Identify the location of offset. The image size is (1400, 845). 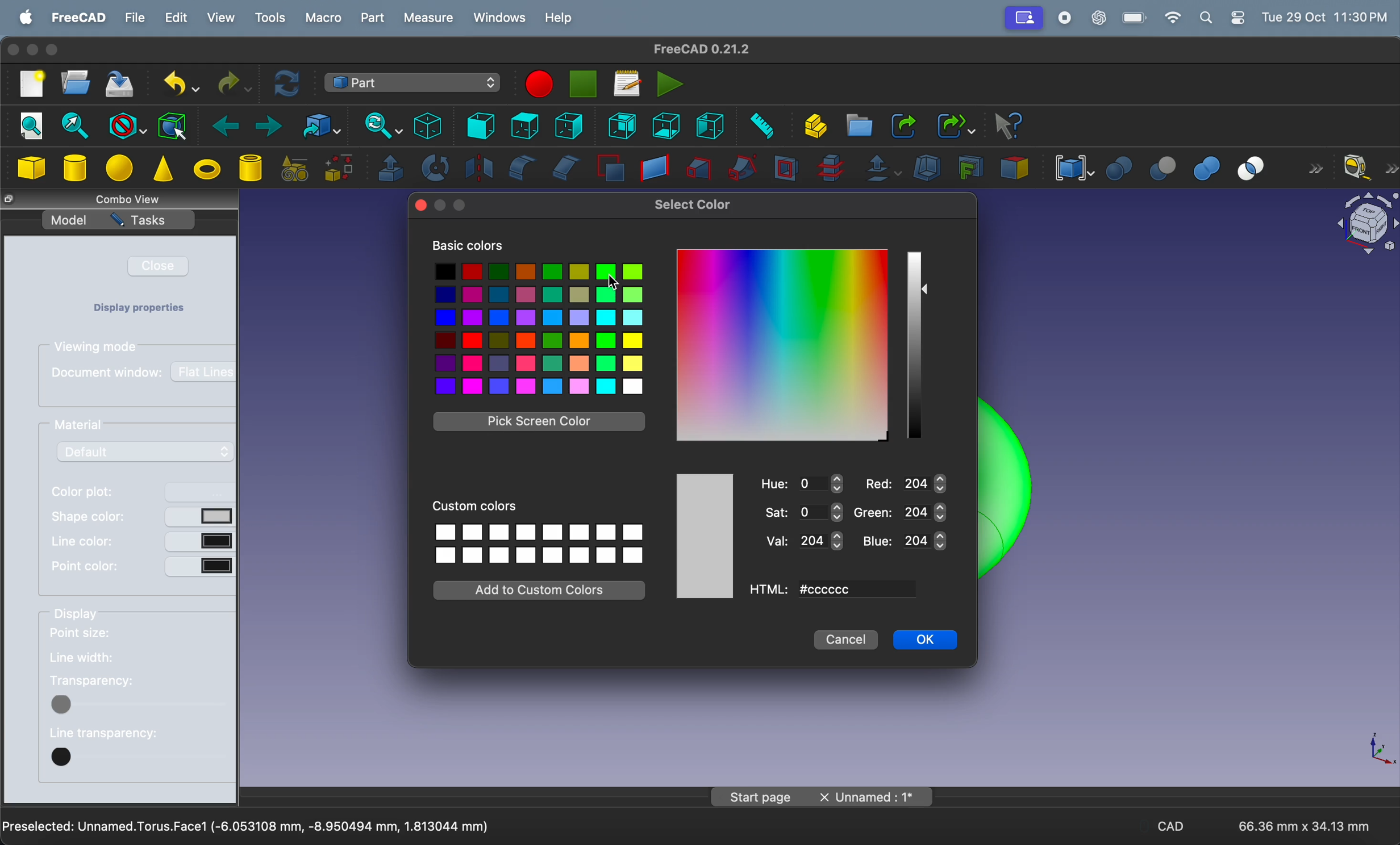
(881, 169).